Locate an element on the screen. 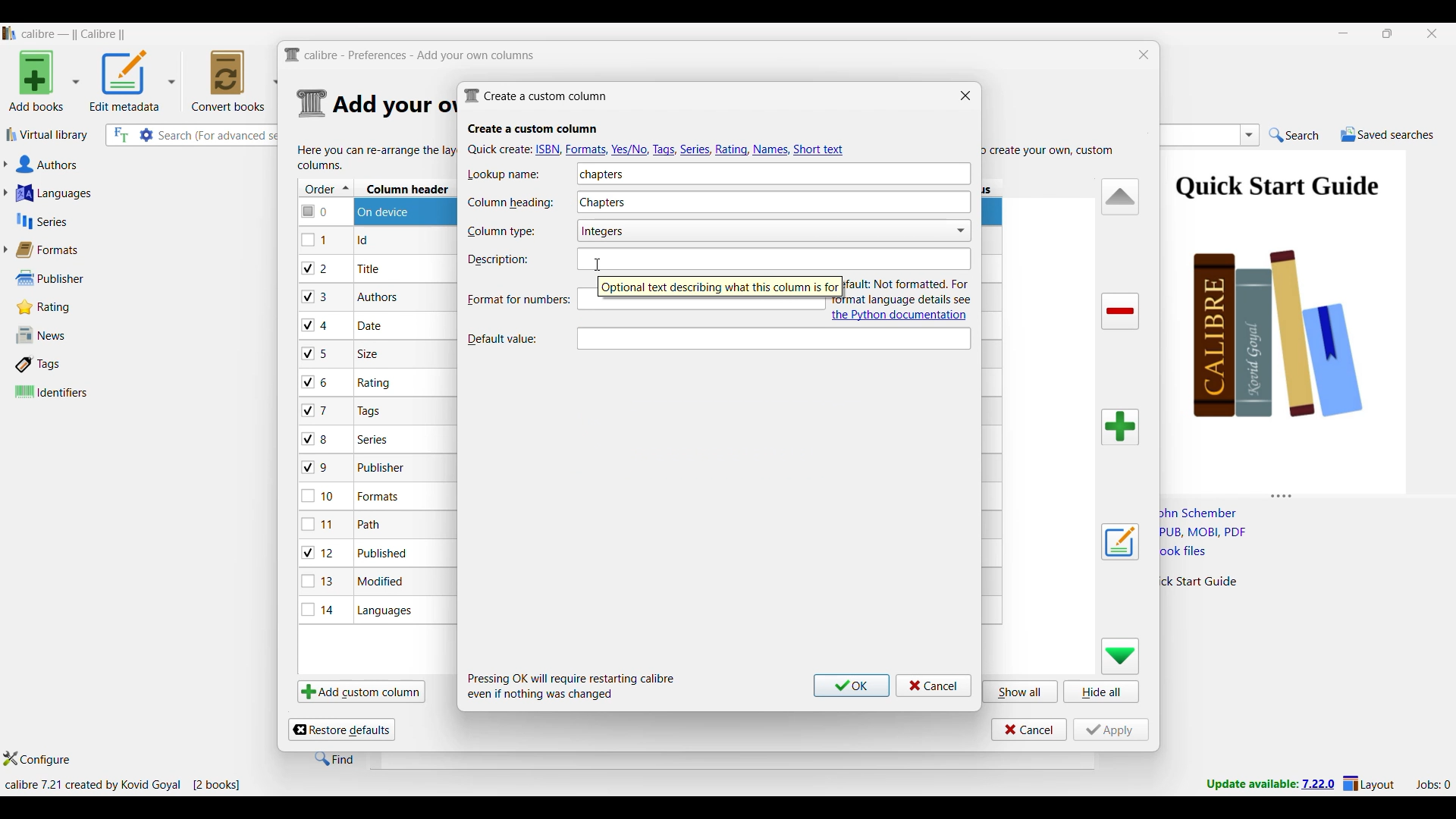  Ok is located at coordinates (852, 686).